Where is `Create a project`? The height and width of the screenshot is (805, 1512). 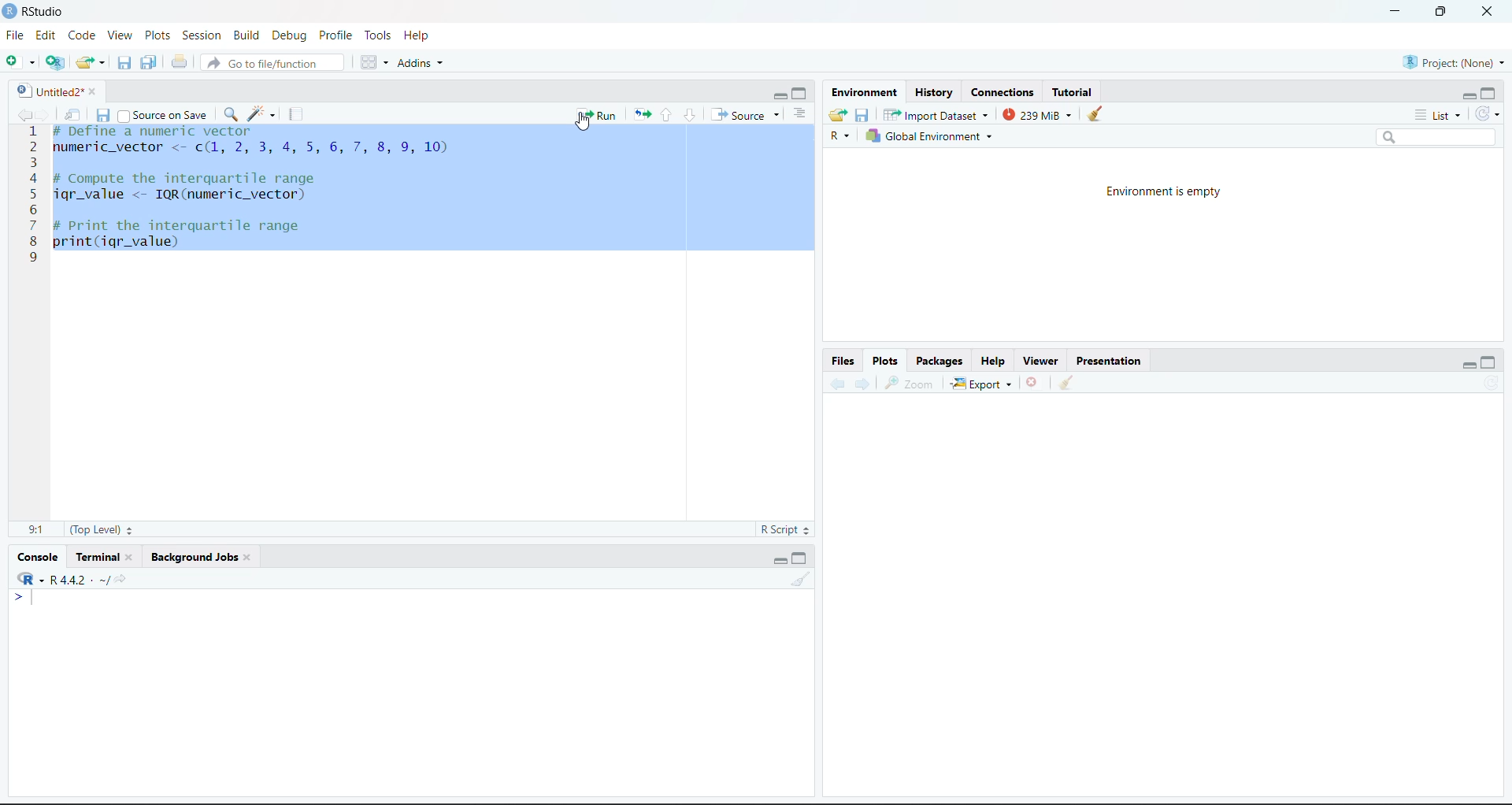
Create a project is located at coordinates (56, 61).